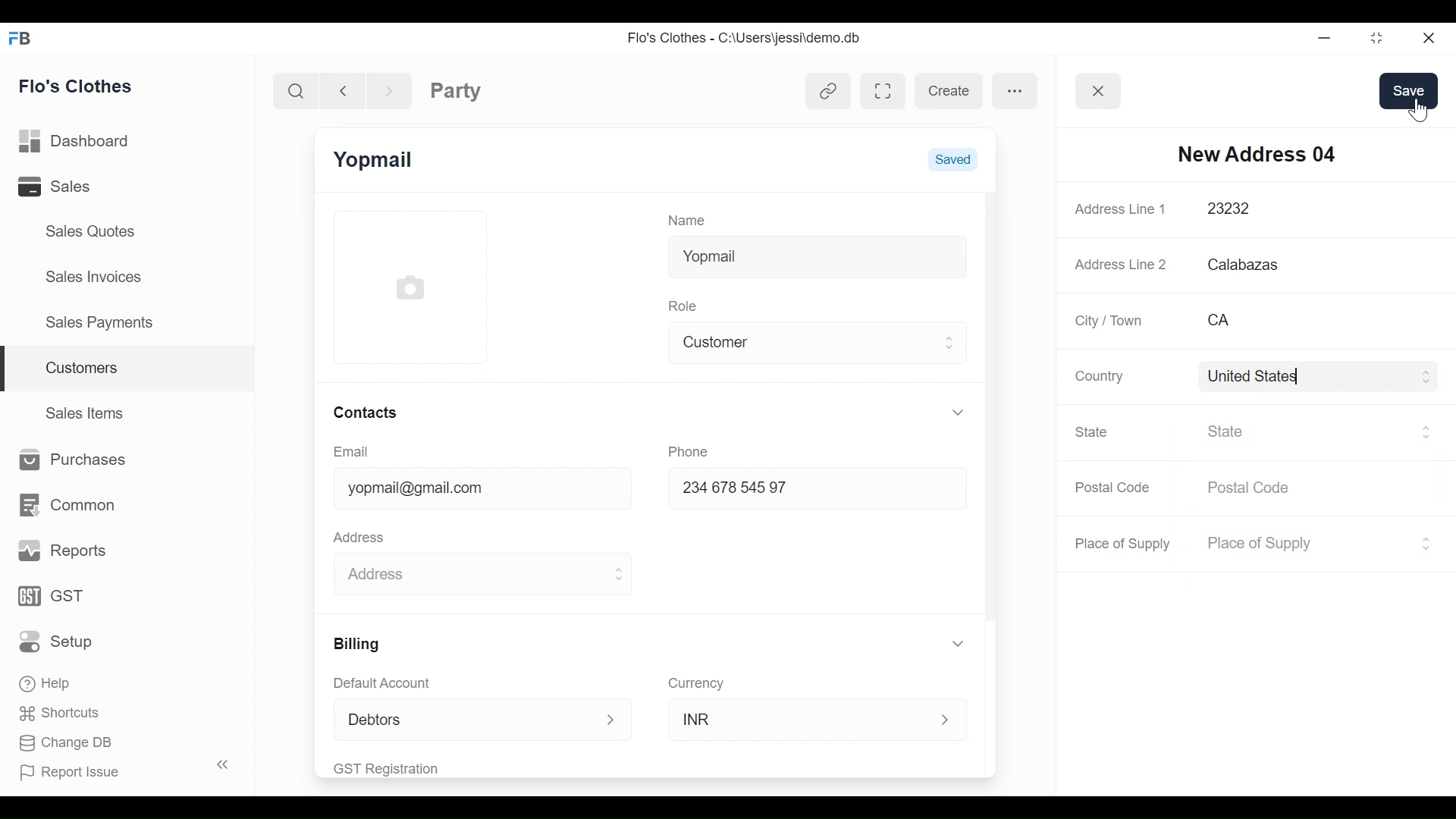 The image size is (1456, 819). What do you see at coordinates (18, 39) in the screenshot?
I see `Frappe Books Desktop Icon` at bounding box center [18, 39].